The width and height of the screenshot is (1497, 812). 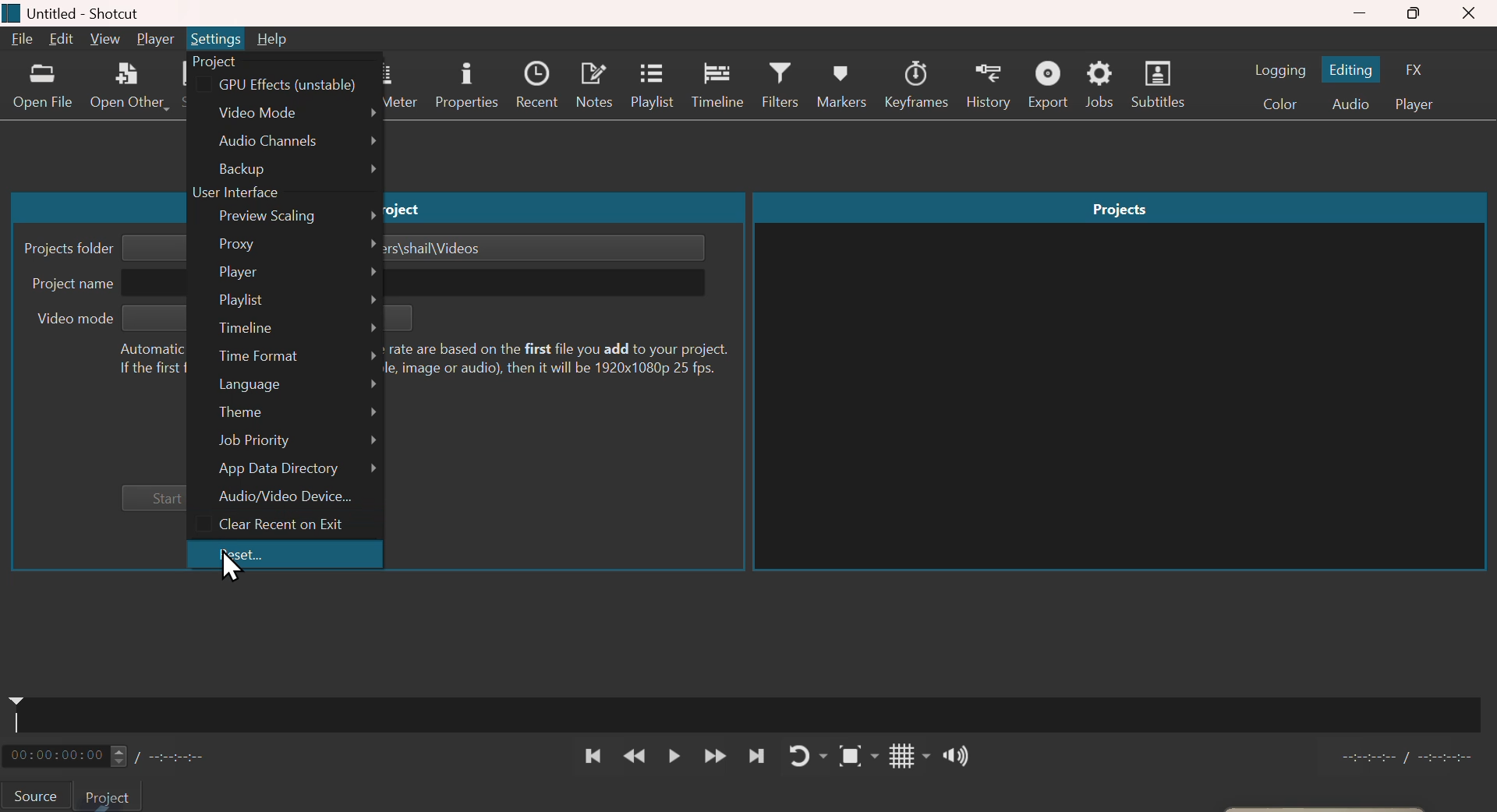 What do you see at coordinates (283, 273) in the screenshot?
I see `Player` at bounding box center [283, 273].